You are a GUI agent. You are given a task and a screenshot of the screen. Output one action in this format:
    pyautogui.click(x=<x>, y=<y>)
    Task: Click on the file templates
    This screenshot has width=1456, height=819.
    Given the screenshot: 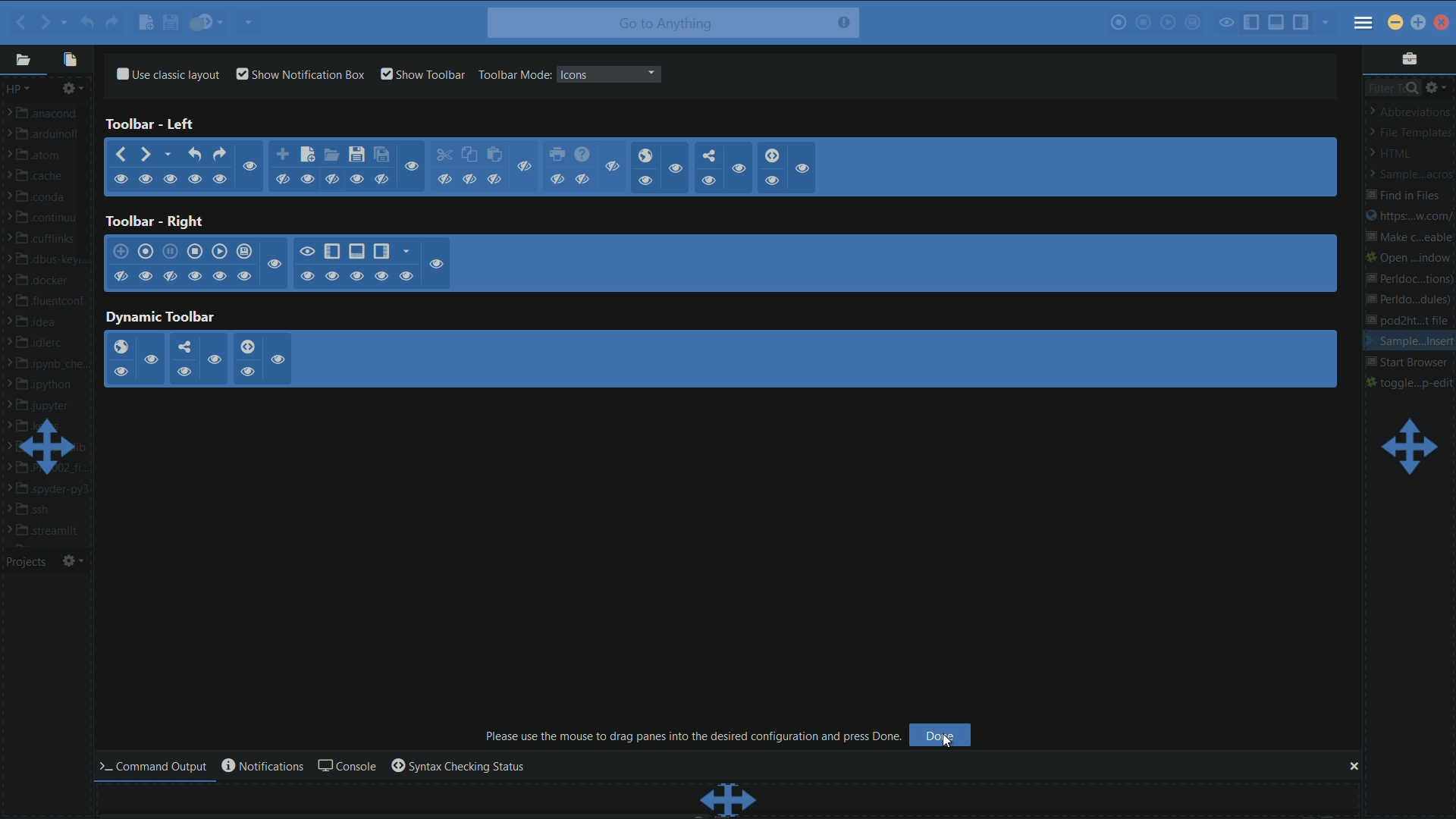 What is the action you would take?
    pyautogui.click(x=1410, y=133)
    